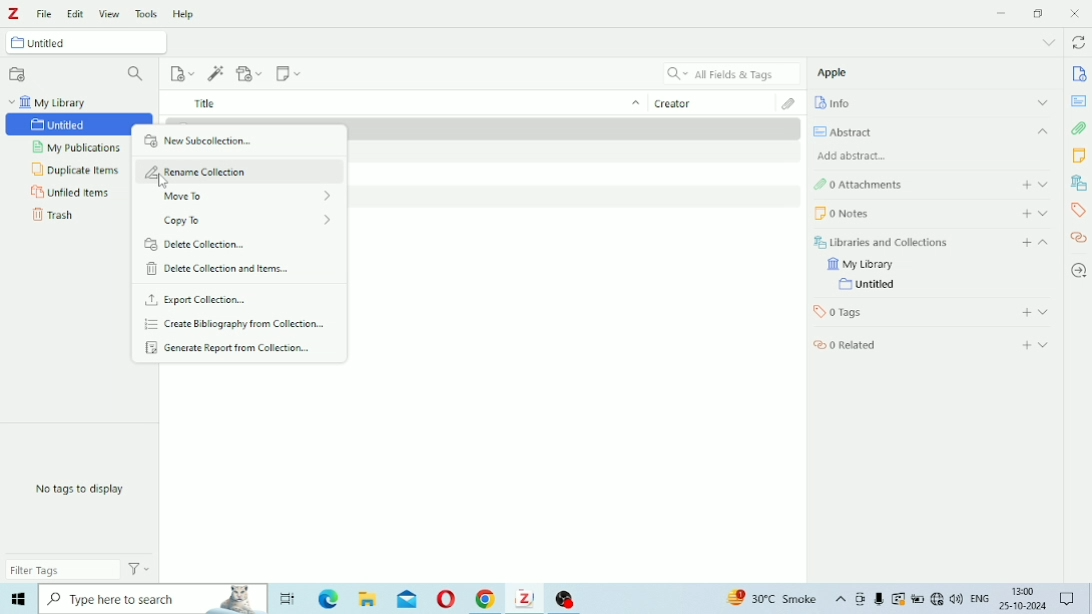  What do you see at coordinates (50, 100) in the screenshot?
I see `My Library` at bounding box center [50, 100].